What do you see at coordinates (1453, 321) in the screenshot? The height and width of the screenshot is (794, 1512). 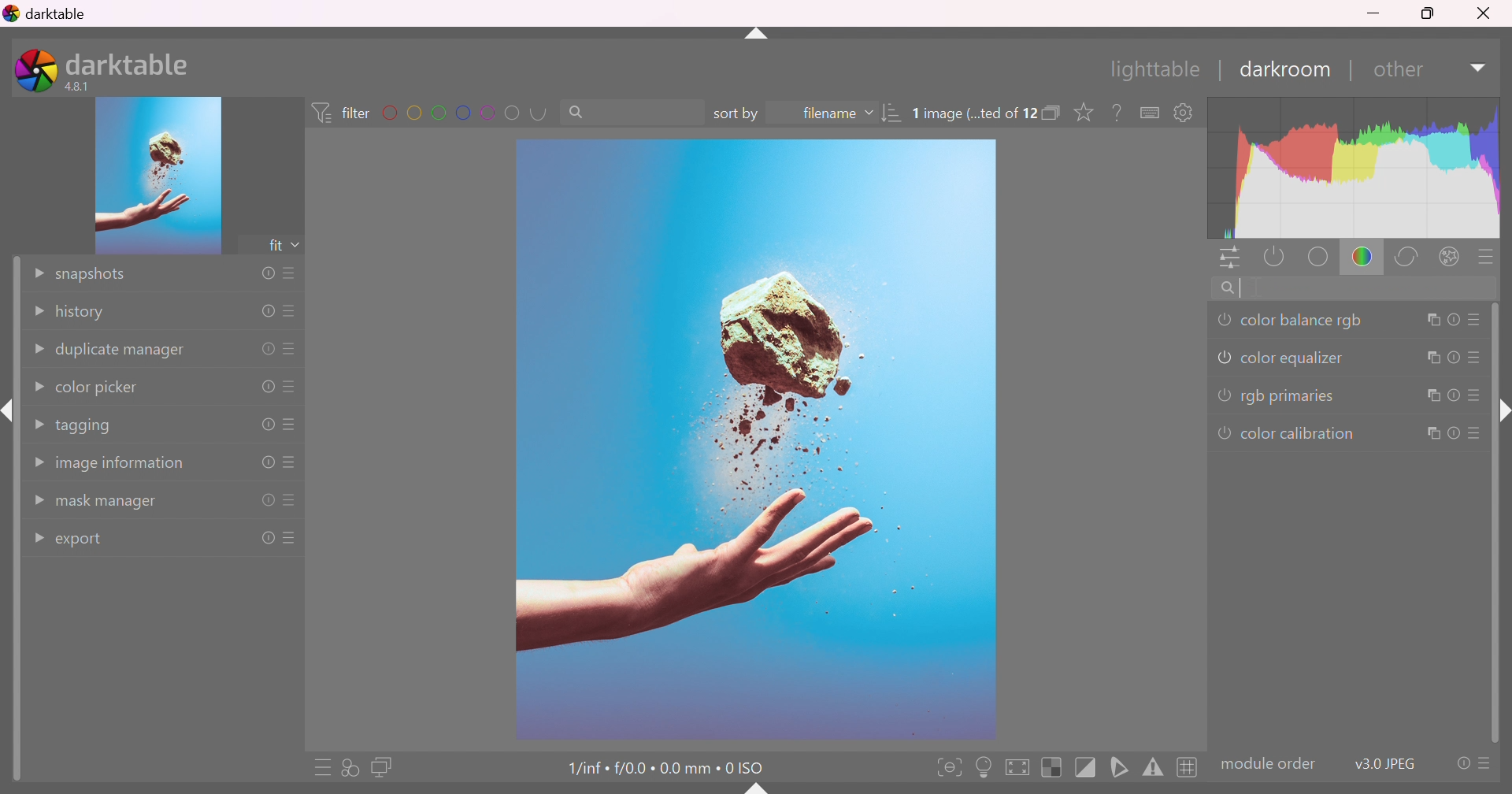 I see `reset` at bounding box center [1453, 321].